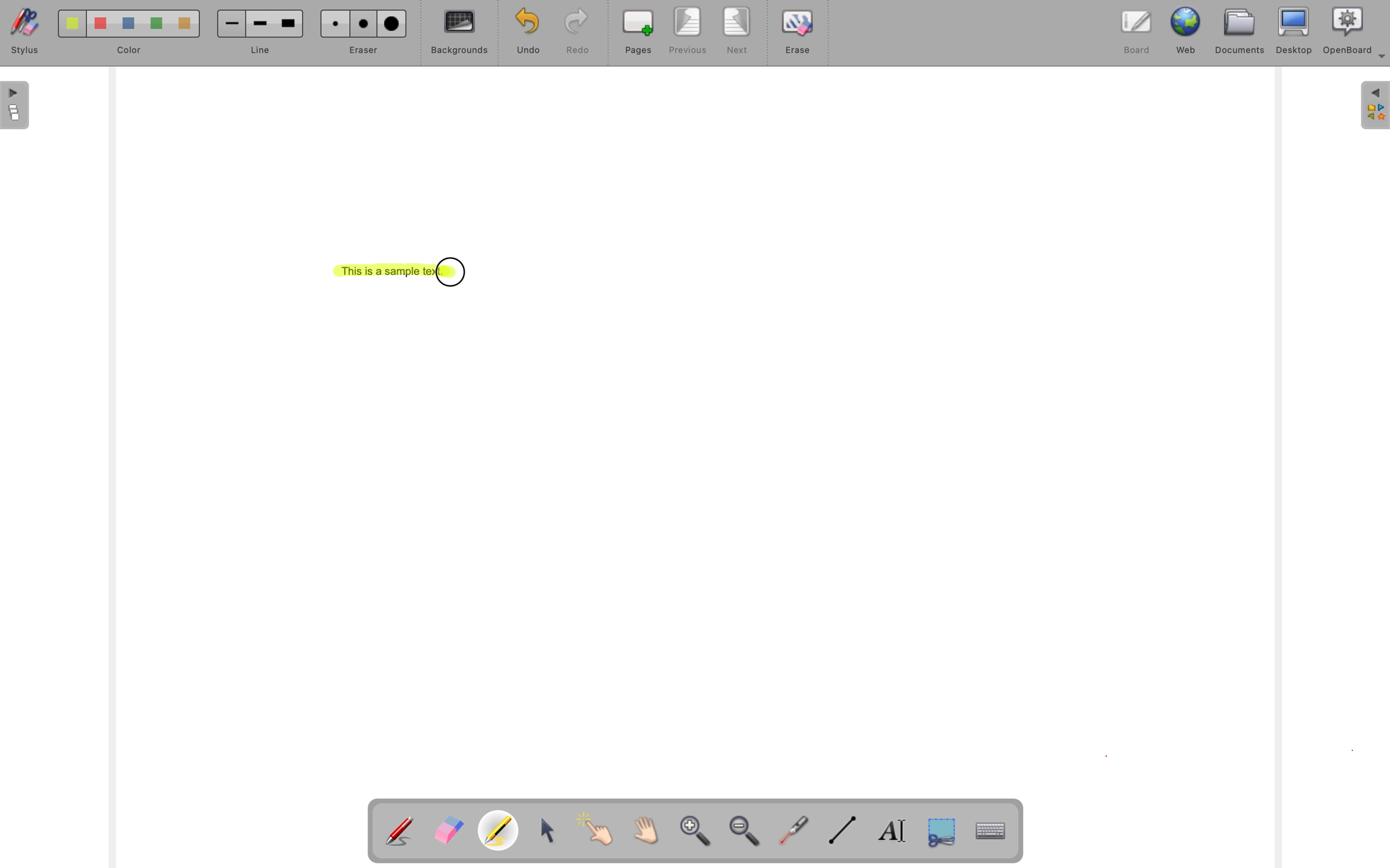 The height and width of the screenshot is (868, 1390). I want to click on backgrounds, so click(455, 32).